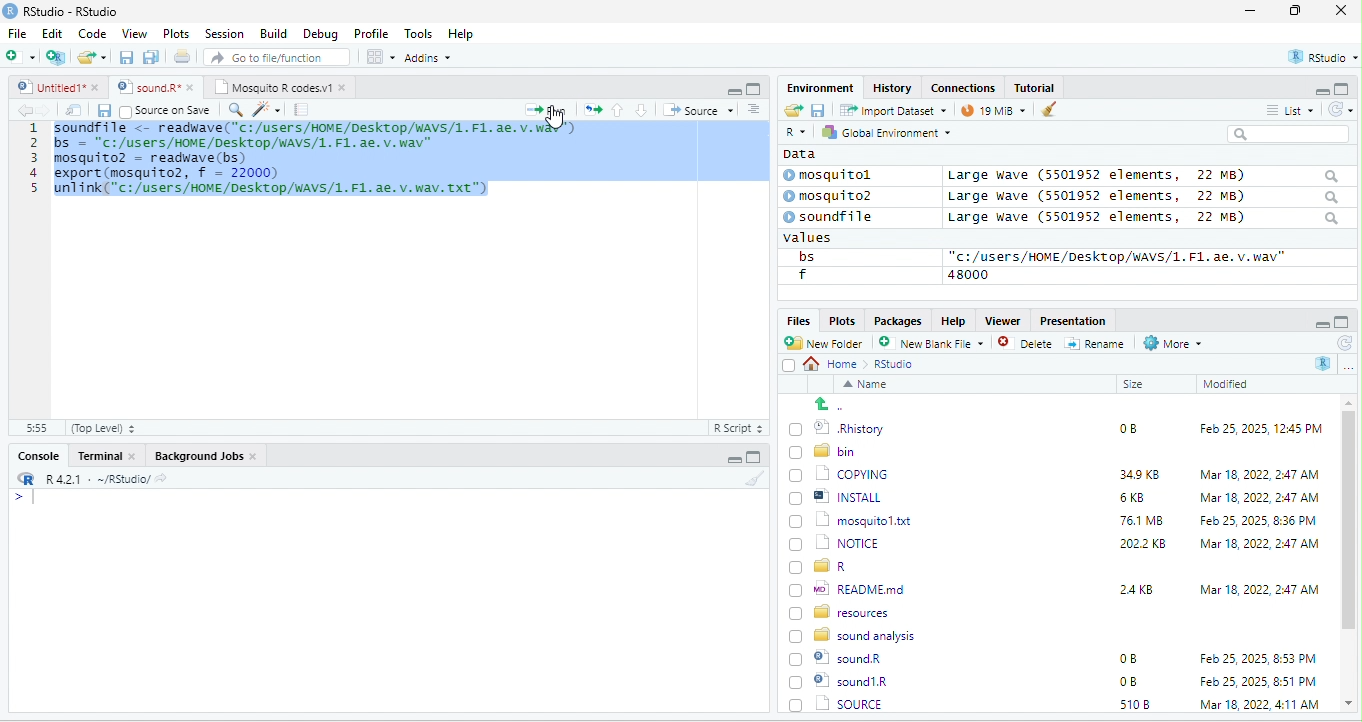  Describe the element at coordinates (1121, 426) in the screenshot. I see `0B` at that location.